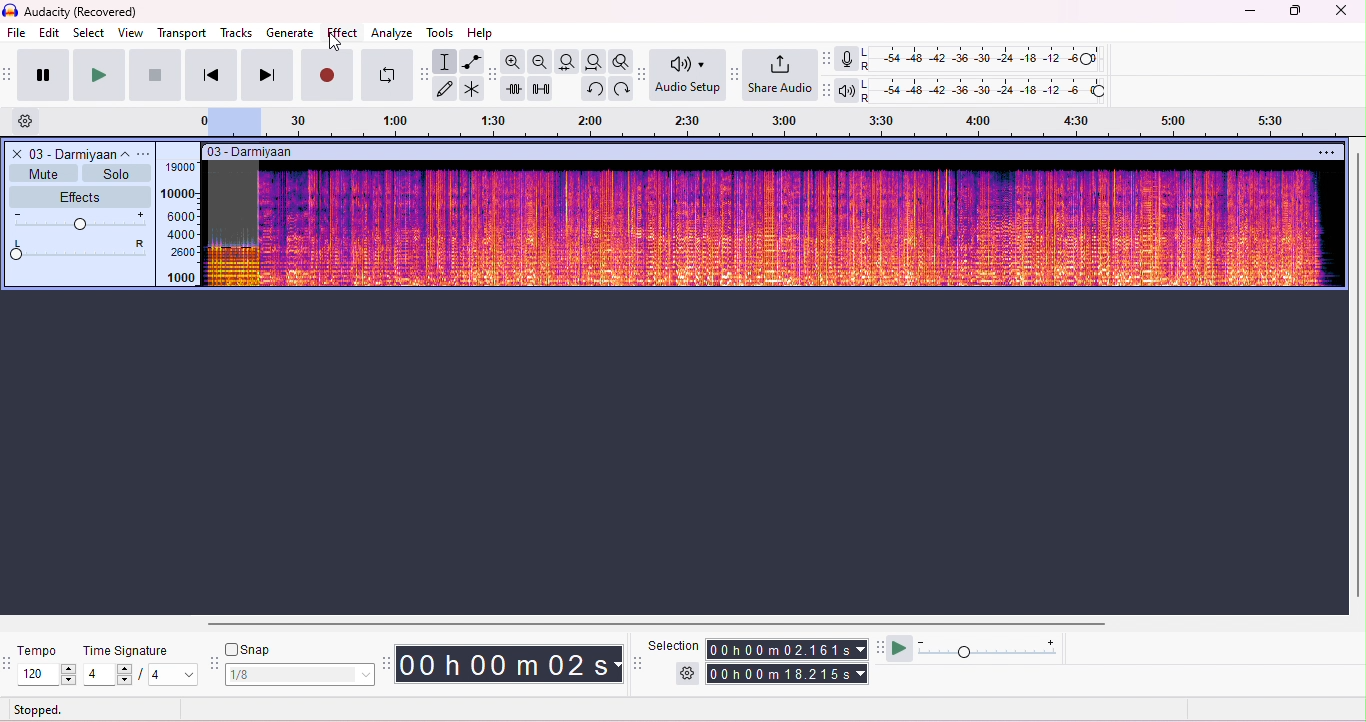 This screenshot has height=722, width=1366. What do you see at coordinates (593, 88) in the screenshot?
I see `undo` at bounding box center [593, 88].